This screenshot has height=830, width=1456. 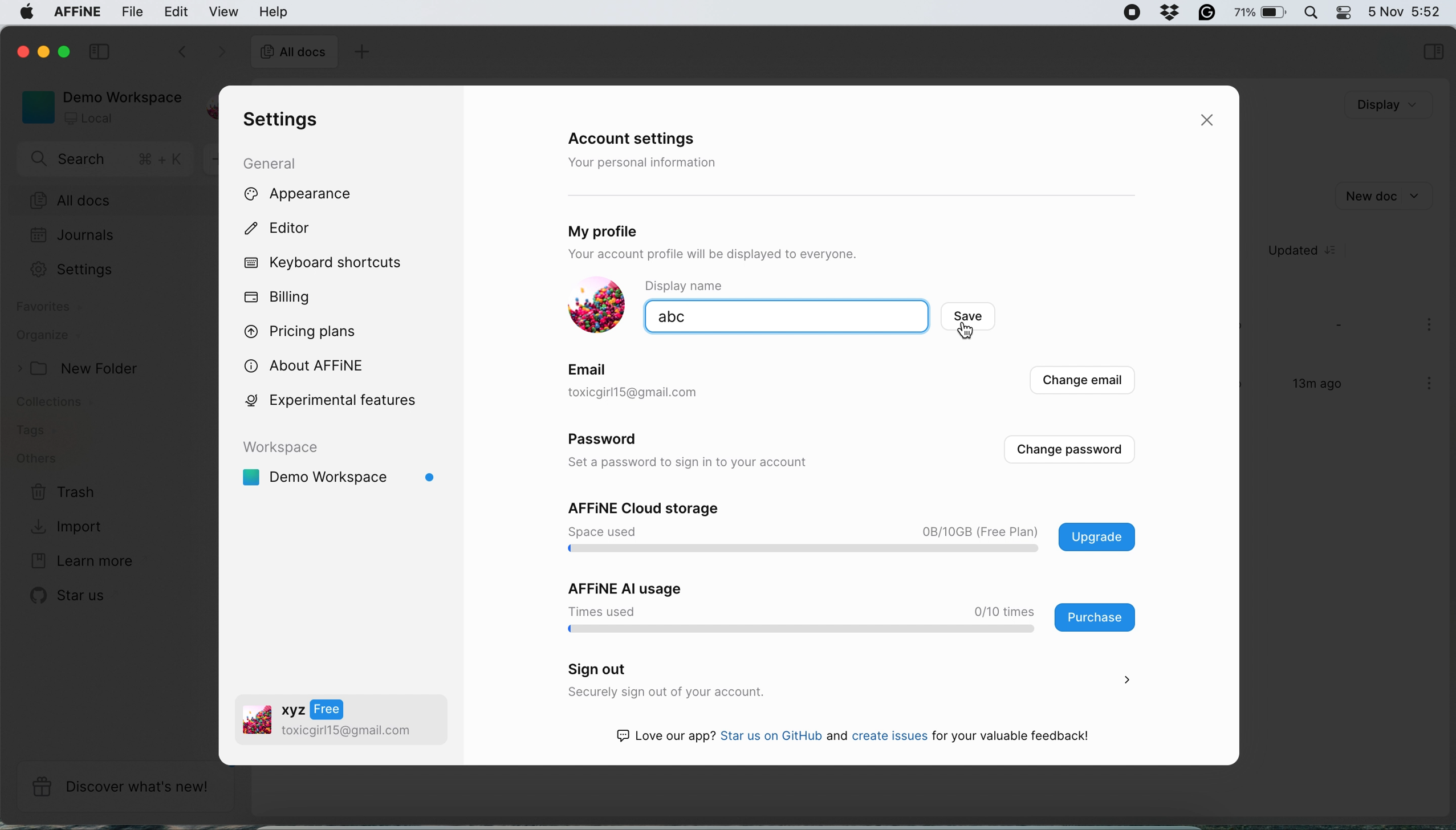 I want to click on Settings, so click(x=85, y=269).